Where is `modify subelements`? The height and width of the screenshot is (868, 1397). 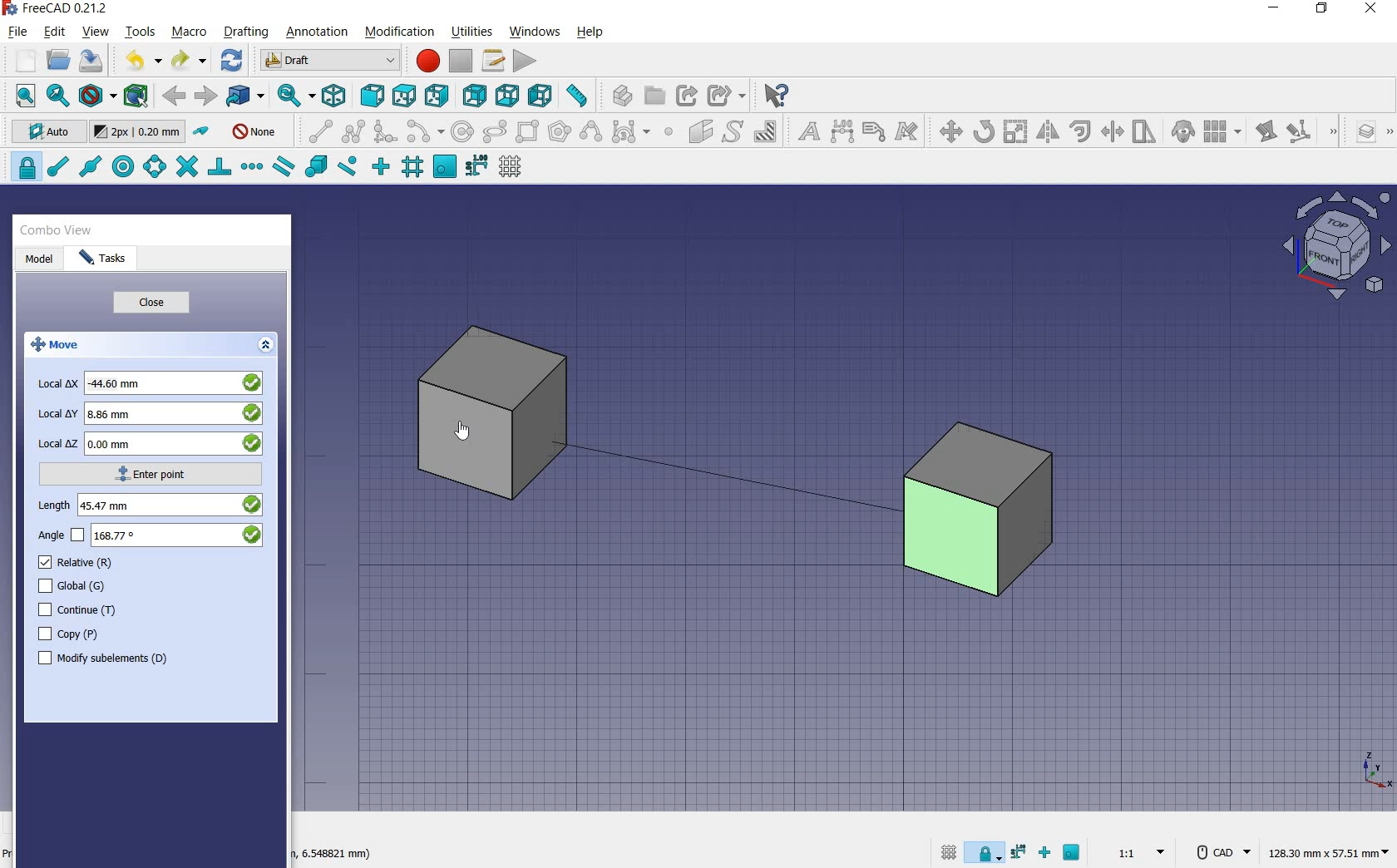 modify subelements is located at coordinates (109, 659).